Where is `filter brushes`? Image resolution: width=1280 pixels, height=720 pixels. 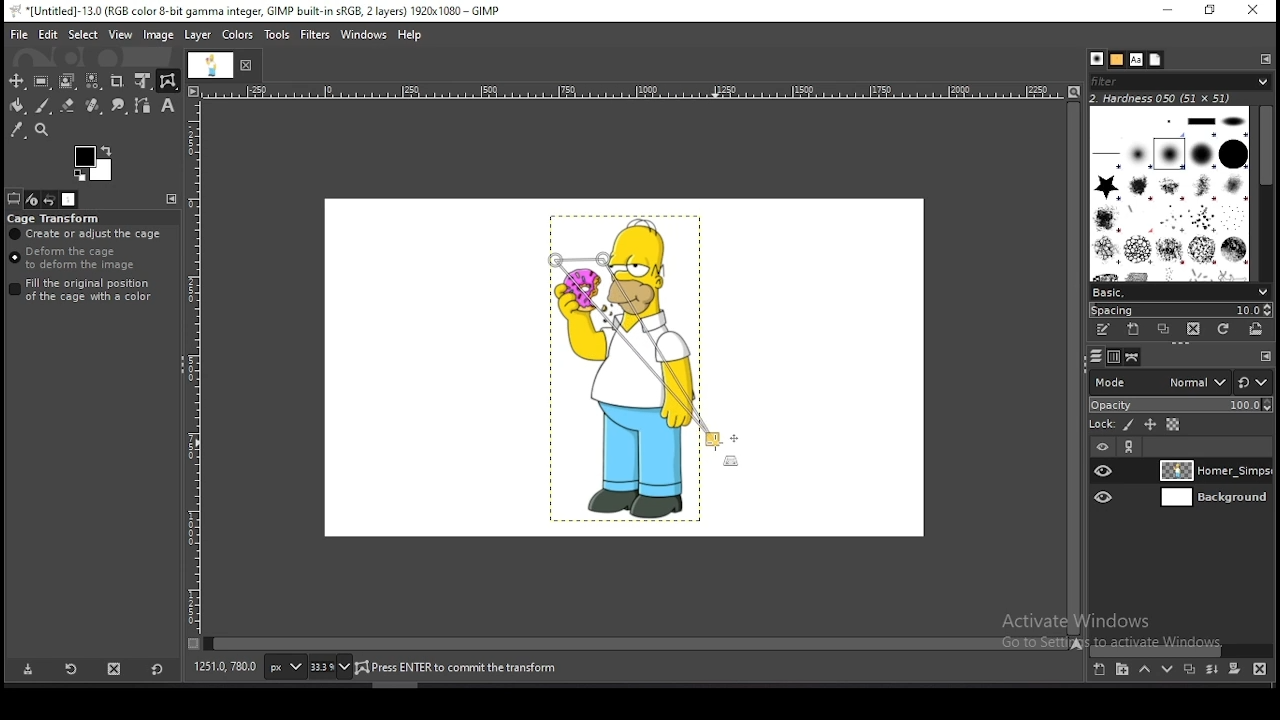 filter brushes is located at coordinates (1181, 83).